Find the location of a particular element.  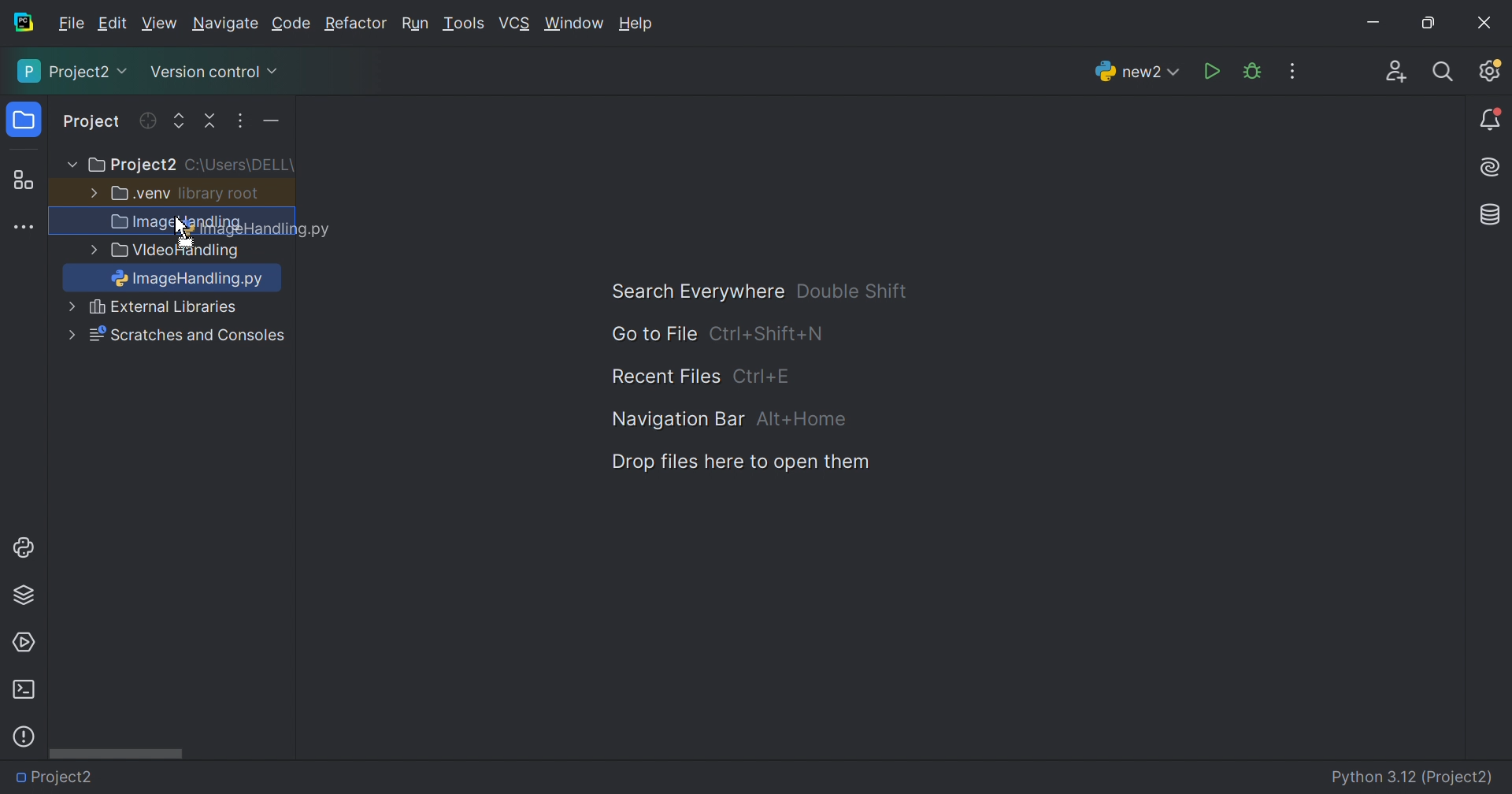

Database is located at coordinates (1492, 216).